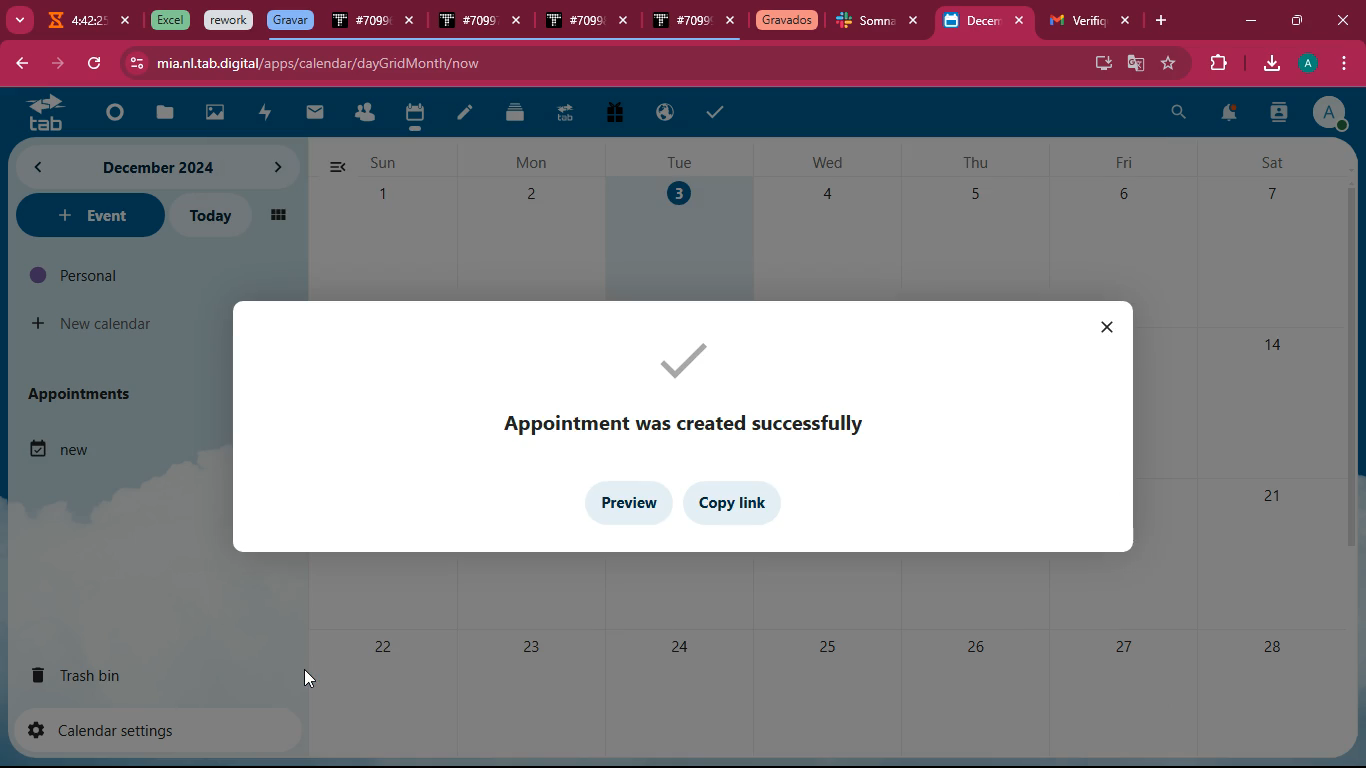  I want to click on back, so click(20, 65).